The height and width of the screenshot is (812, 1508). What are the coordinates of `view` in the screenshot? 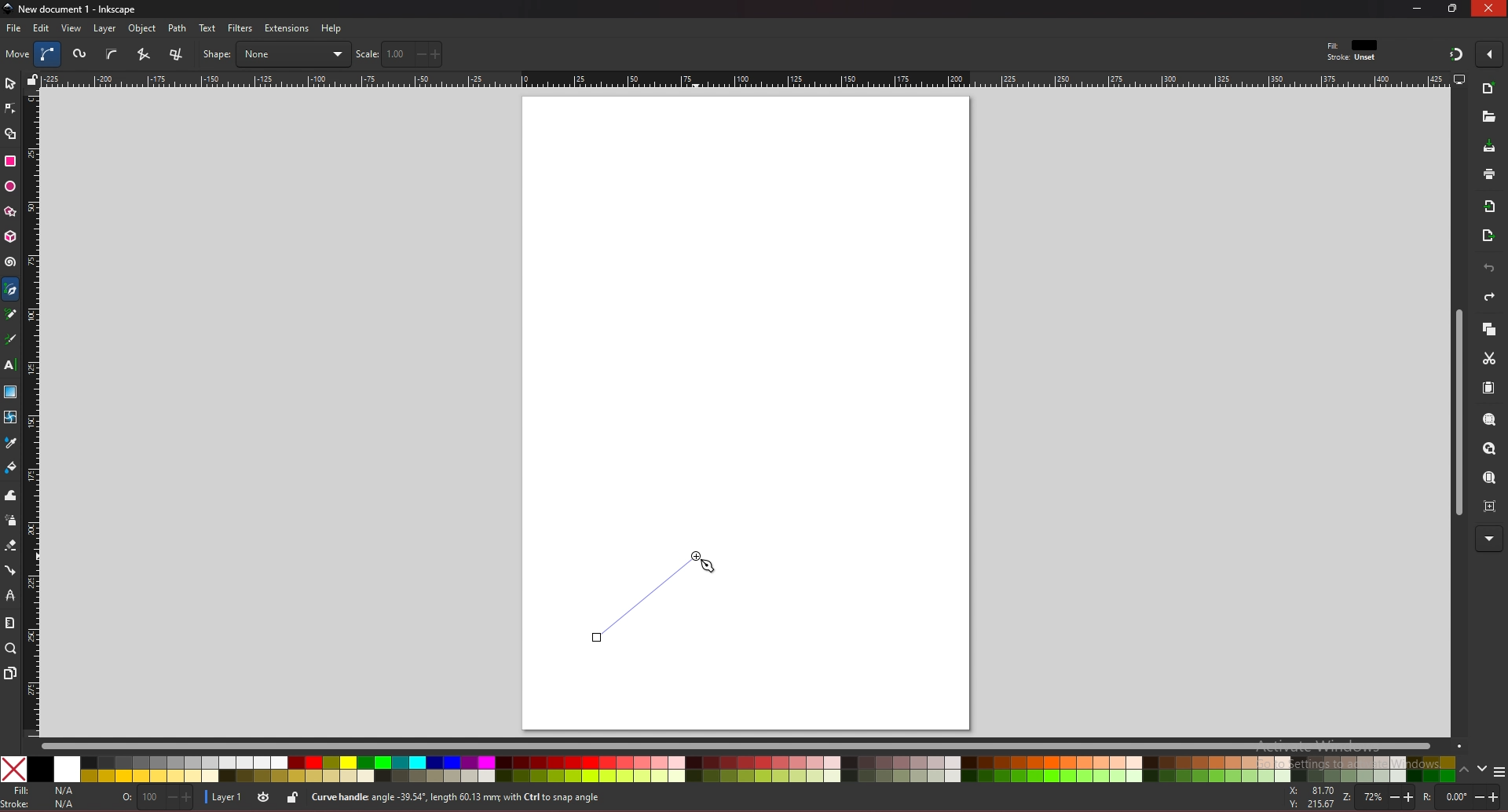 It's located at (72, 28).